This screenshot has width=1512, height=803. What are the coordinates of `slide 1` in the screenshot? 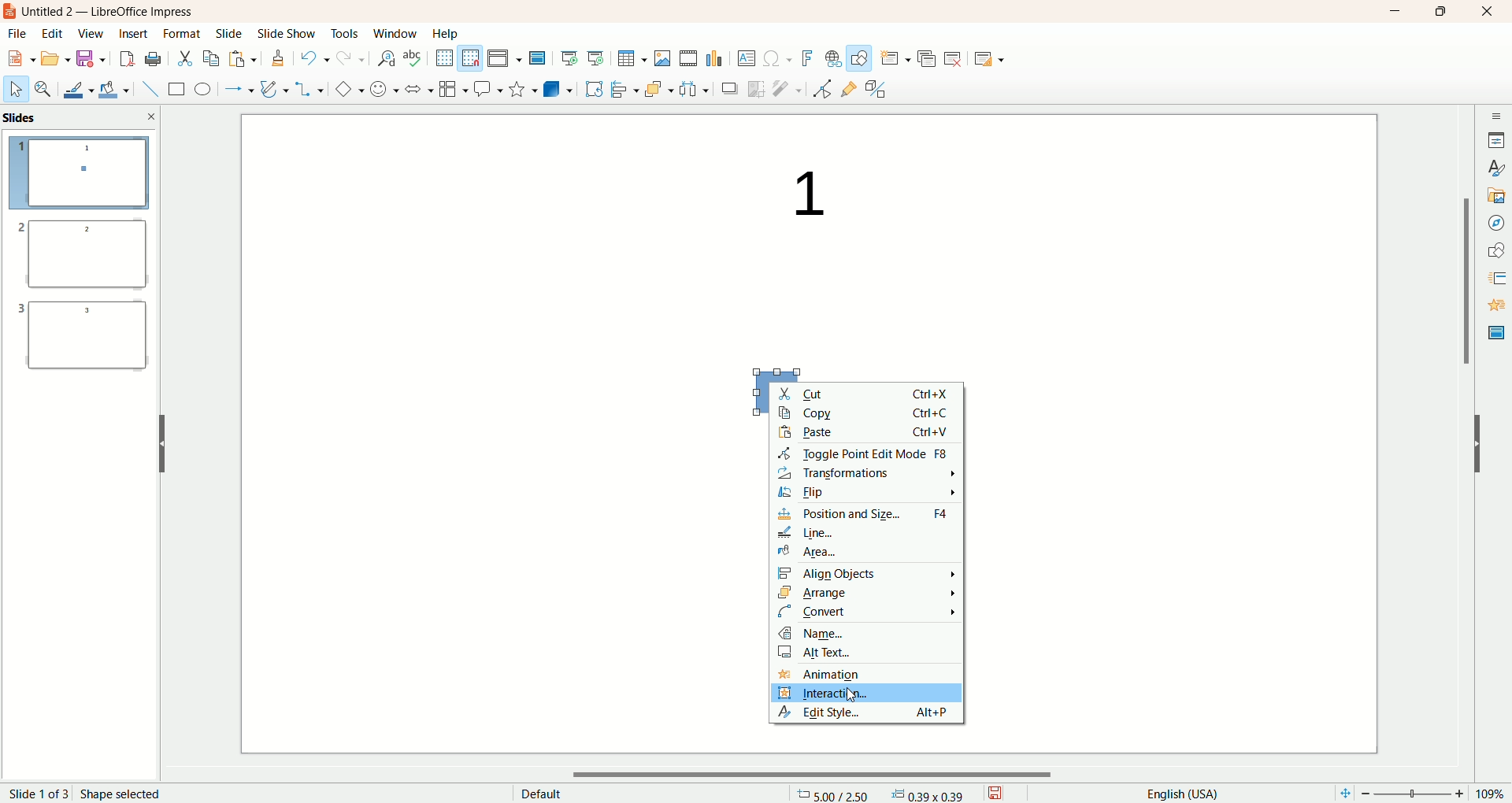 It's located at (80, 175).